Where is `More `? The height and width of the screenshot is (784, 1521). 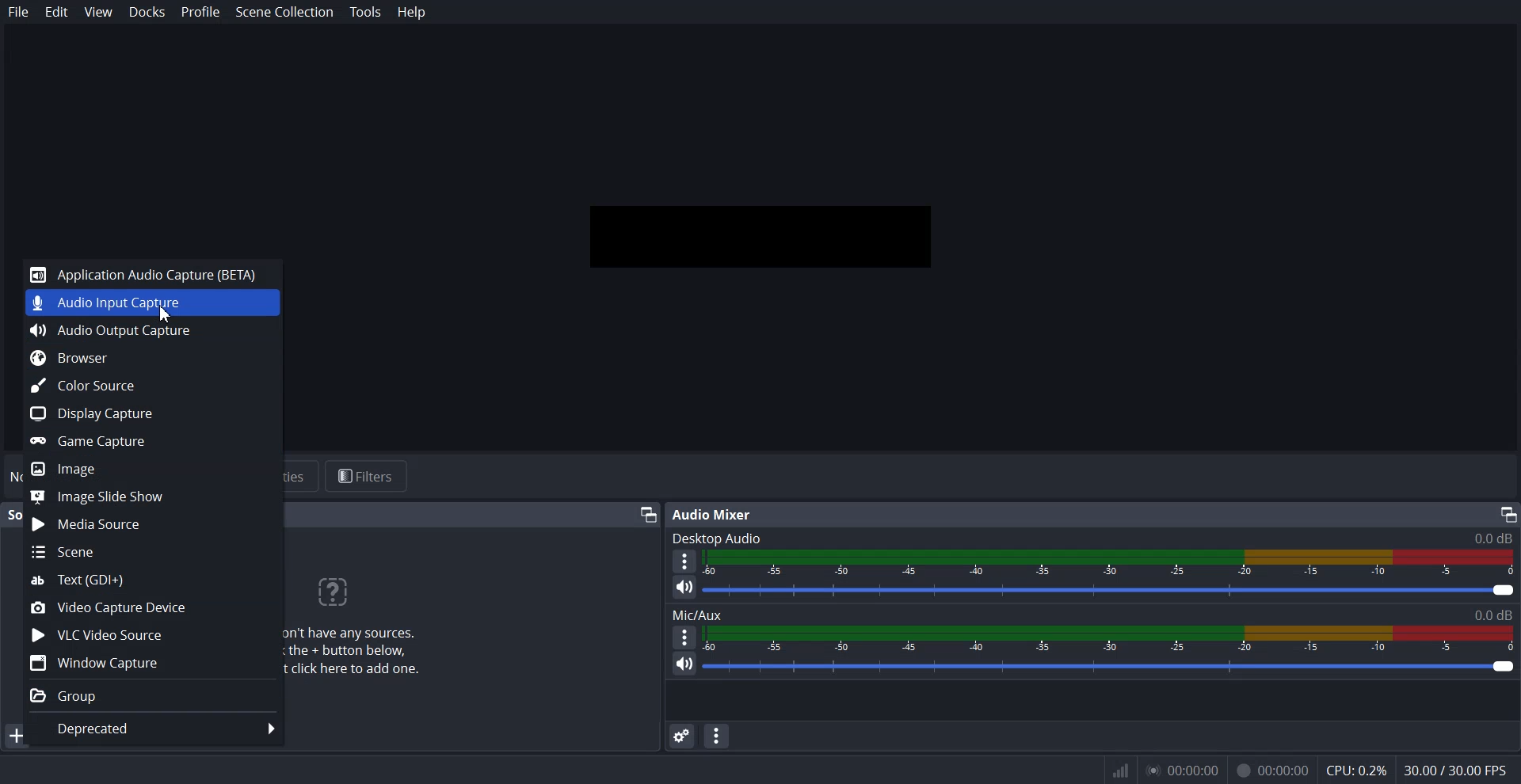
More  is located at coordinates (682, 559).